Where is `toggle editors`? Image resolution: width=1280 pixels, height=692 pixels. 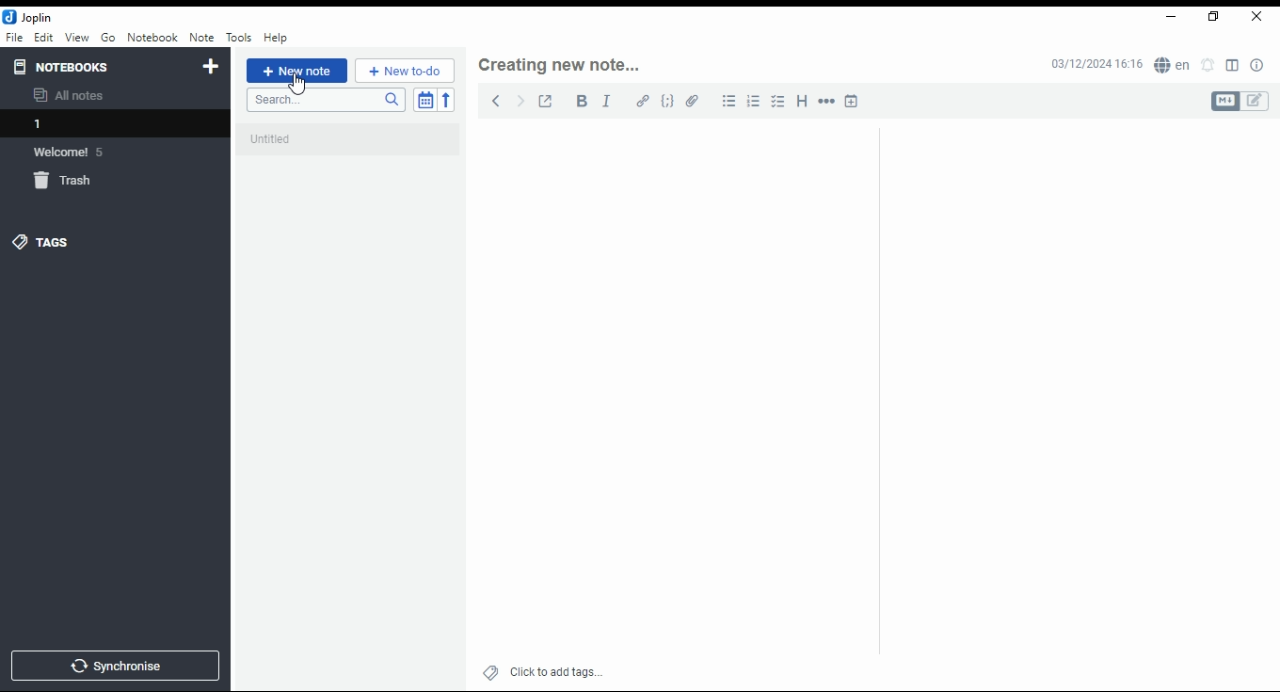
toggle editors is located at coordinates (1240, 101).